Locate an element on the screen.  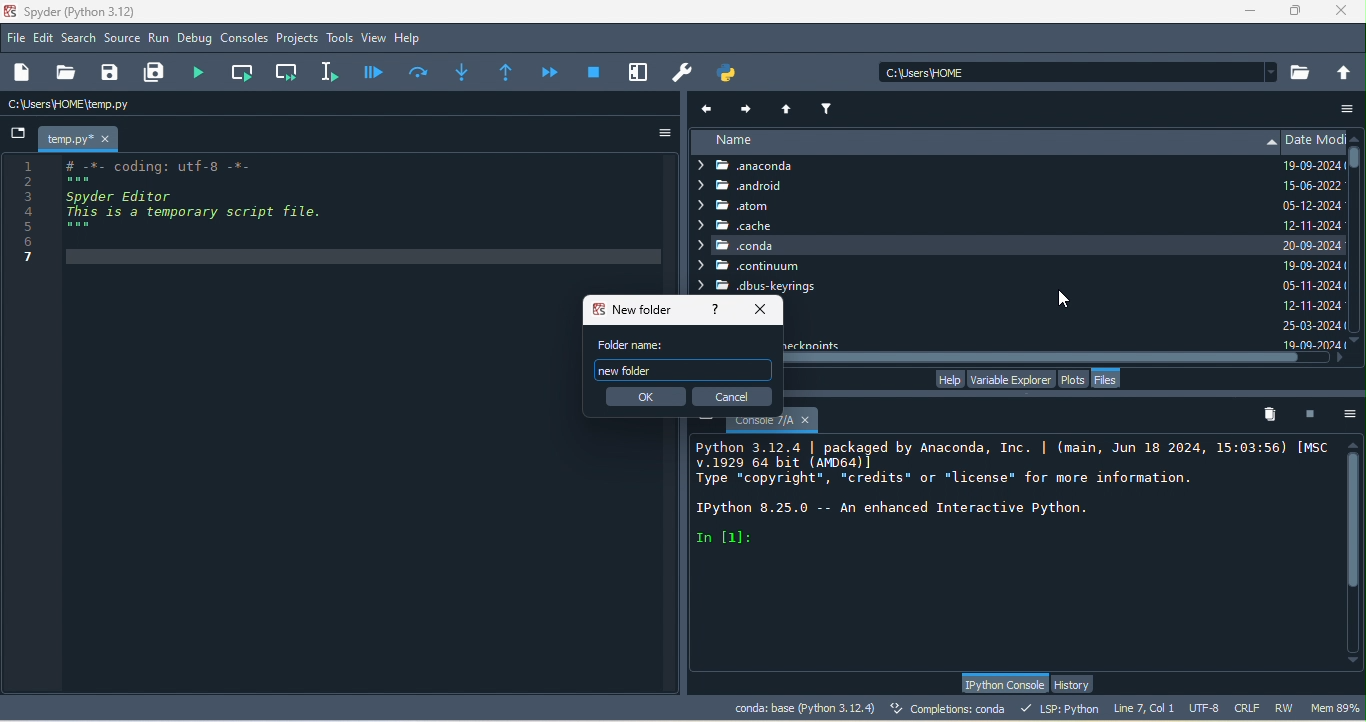
help is located at coordinates (712, 311).